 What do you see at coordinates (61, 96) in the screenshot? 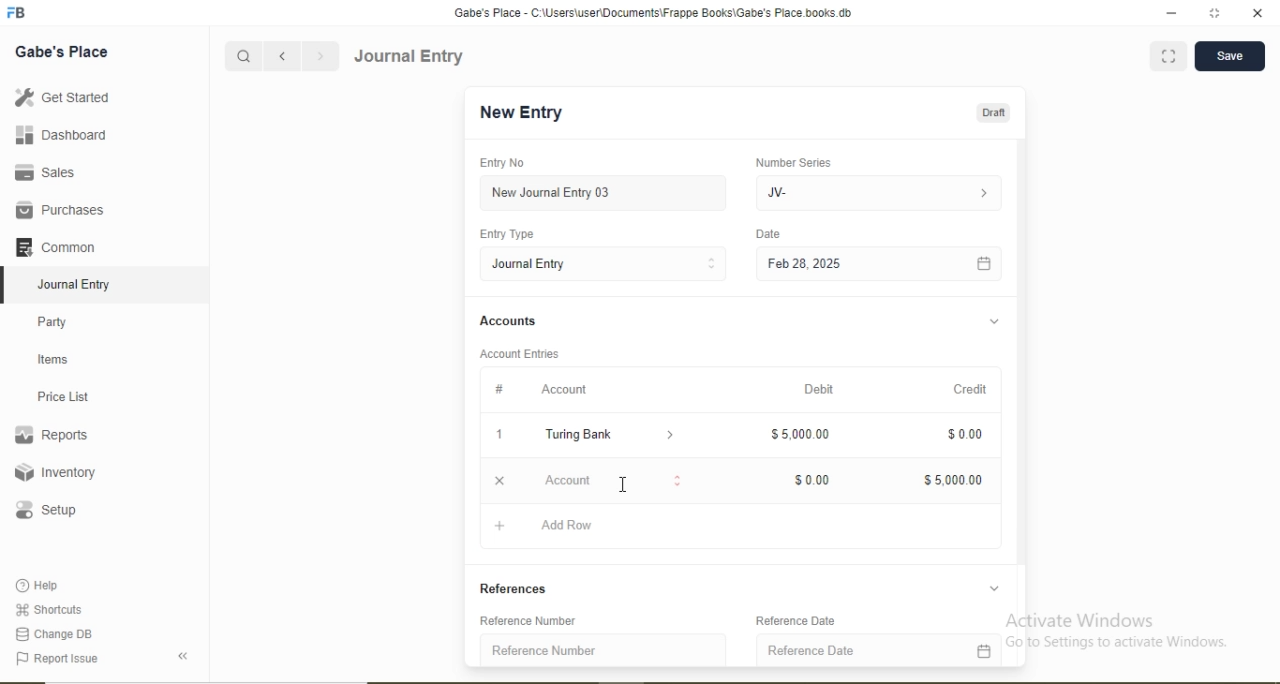
I see `Get Started` at bounding box center [61, 96].